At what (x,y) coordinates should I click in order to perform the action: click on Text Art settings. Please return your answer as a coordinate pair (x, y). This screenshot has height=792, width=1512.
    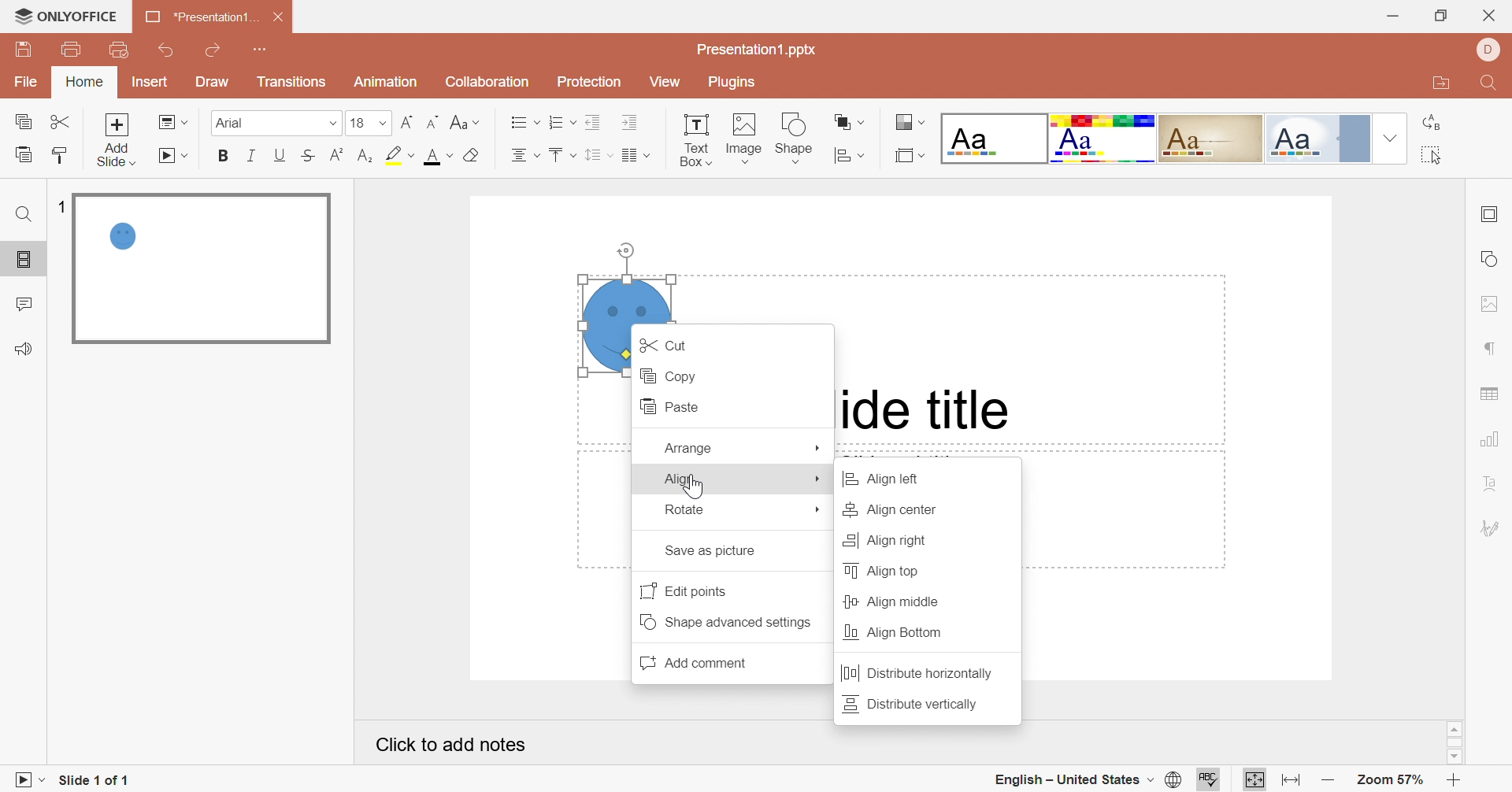
    Looking at the image, I should click on (1491, 483).